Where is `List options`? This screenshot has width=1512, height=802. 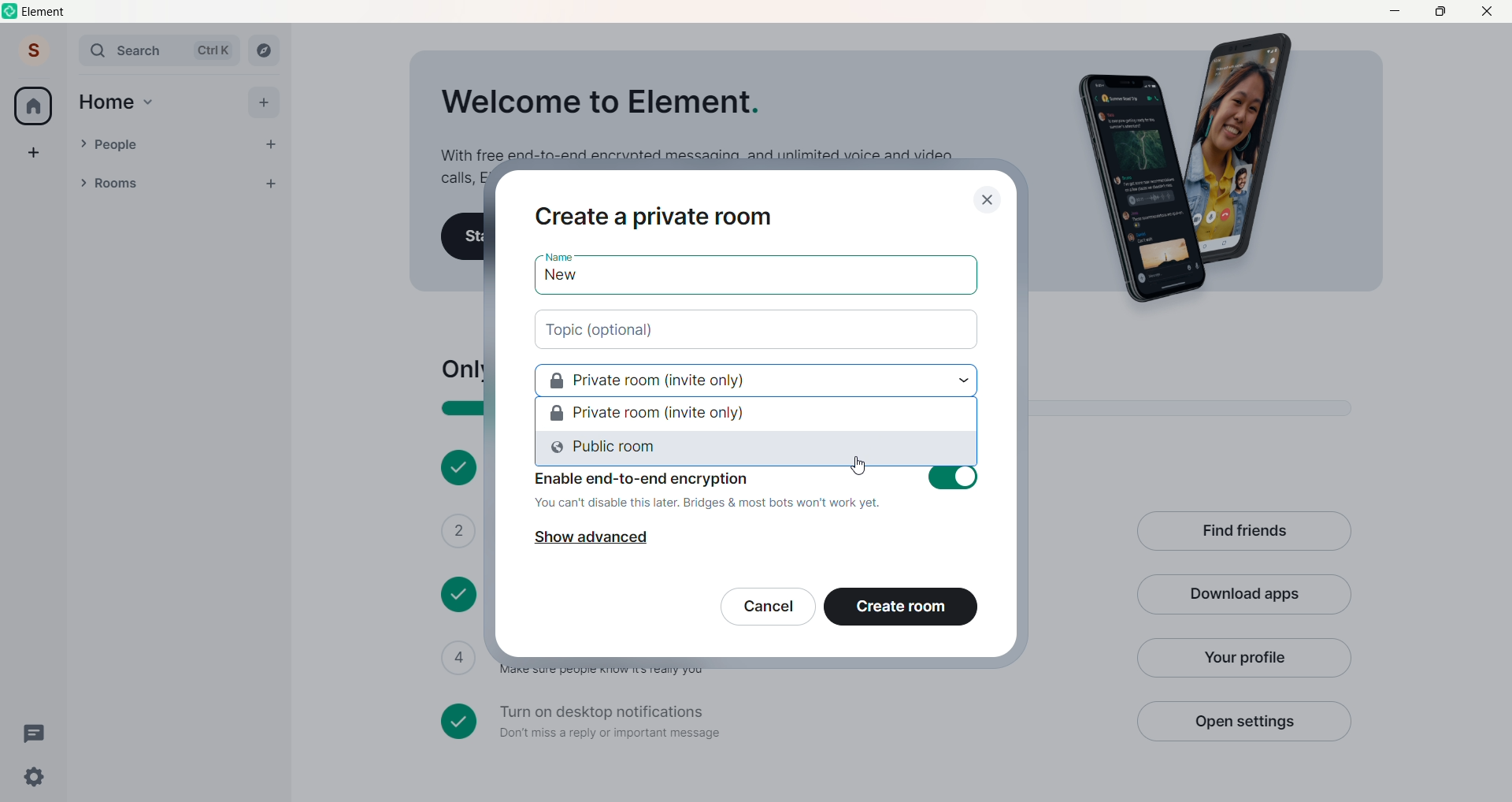
List options is located at coordinates (239, 184).